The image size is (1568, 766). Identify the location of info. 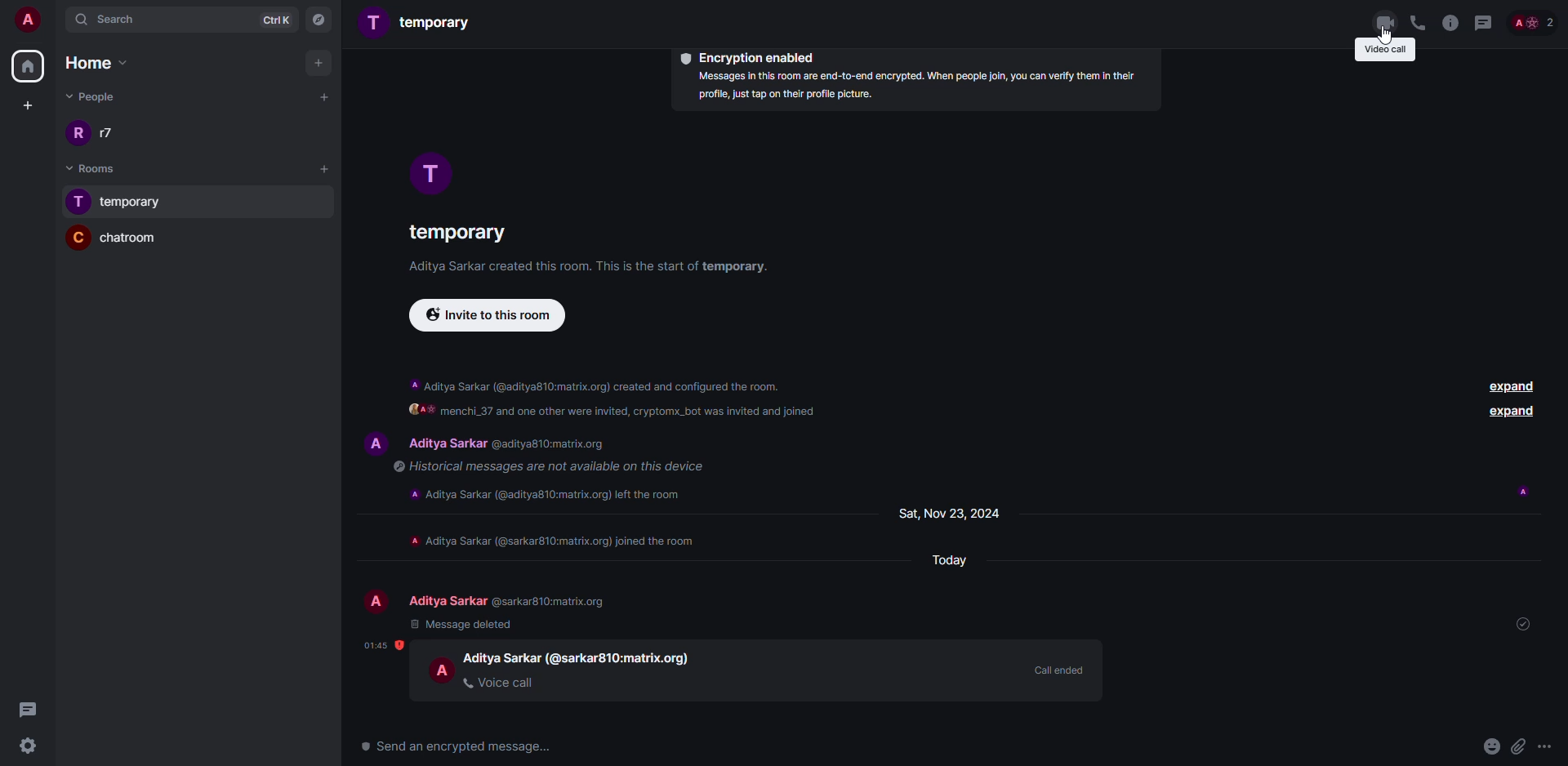
(913, 87).